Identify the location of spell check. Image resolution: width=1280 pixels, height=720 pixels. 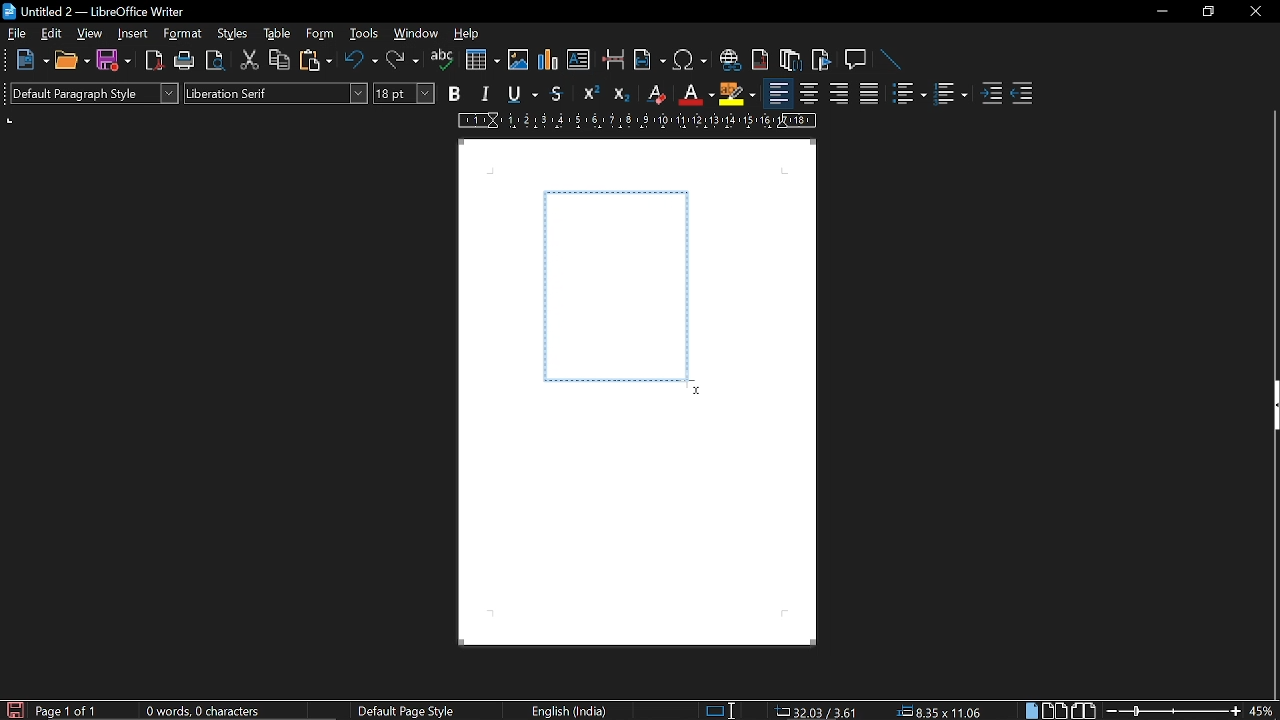
(441, 62).